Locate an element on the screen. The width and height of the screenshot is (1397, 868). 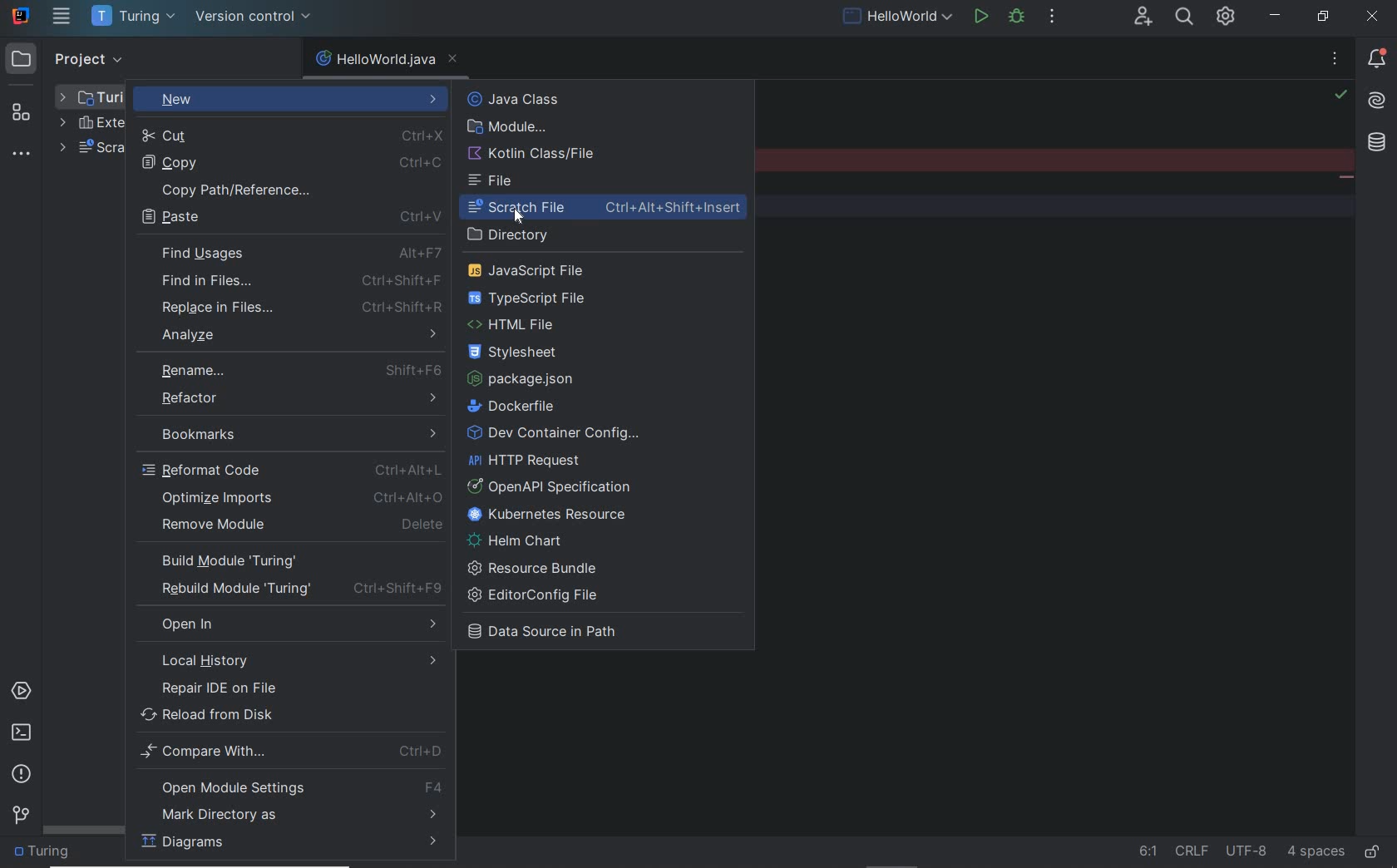
dev container config... is located at coordinates (555, 434).